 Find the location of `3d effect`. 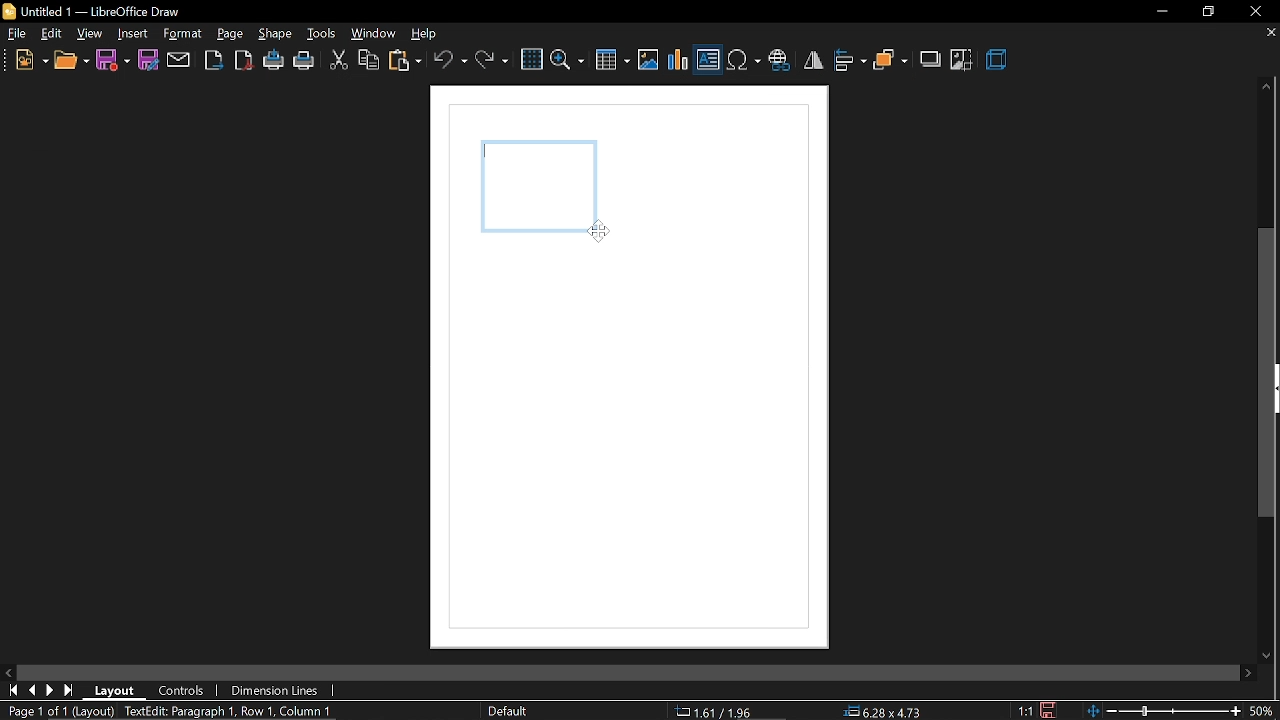

3d effect is located at coordinates (999, 61).